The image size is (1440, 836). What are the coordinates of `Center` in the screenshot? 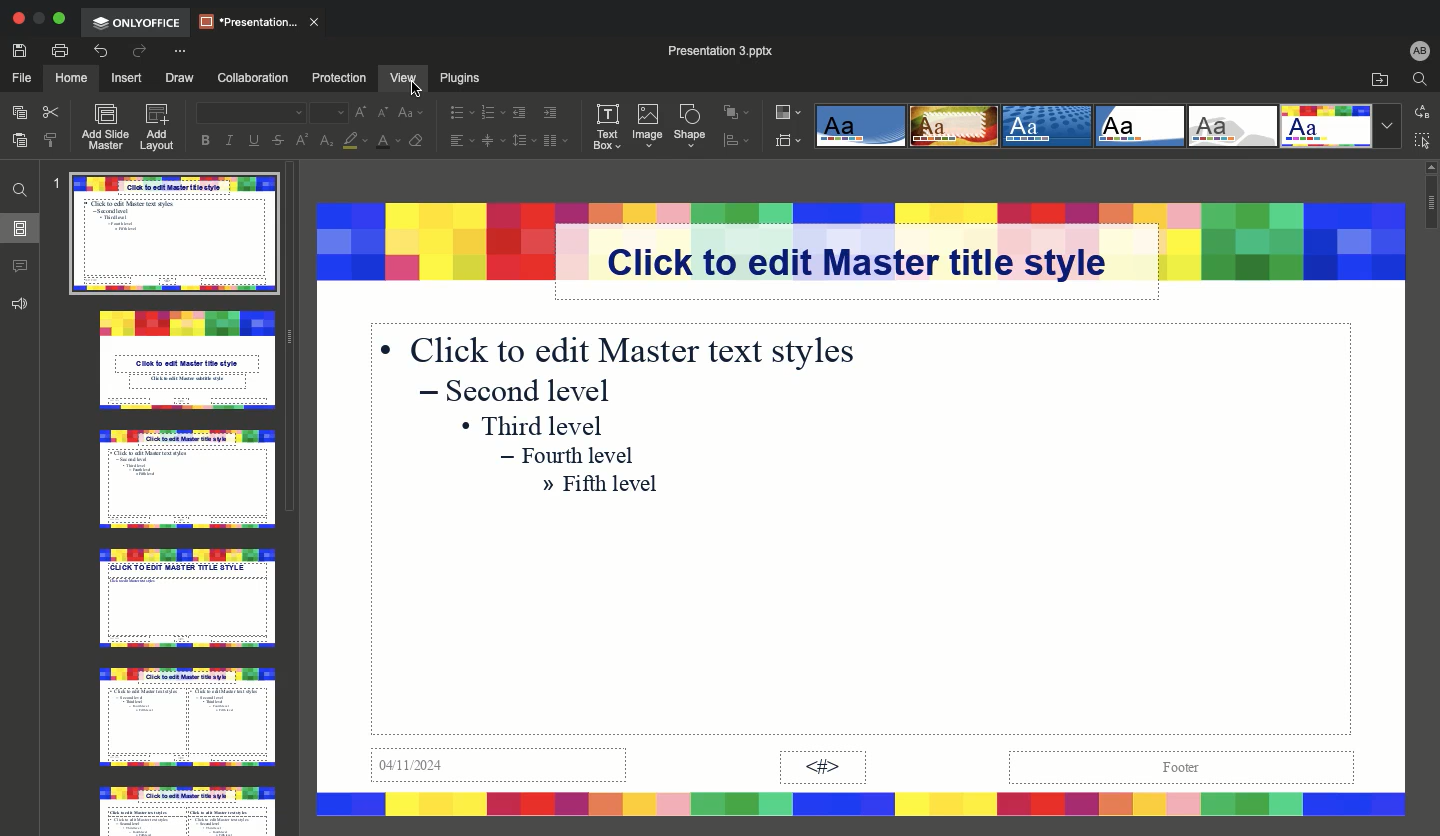 It's located at (488, 142).